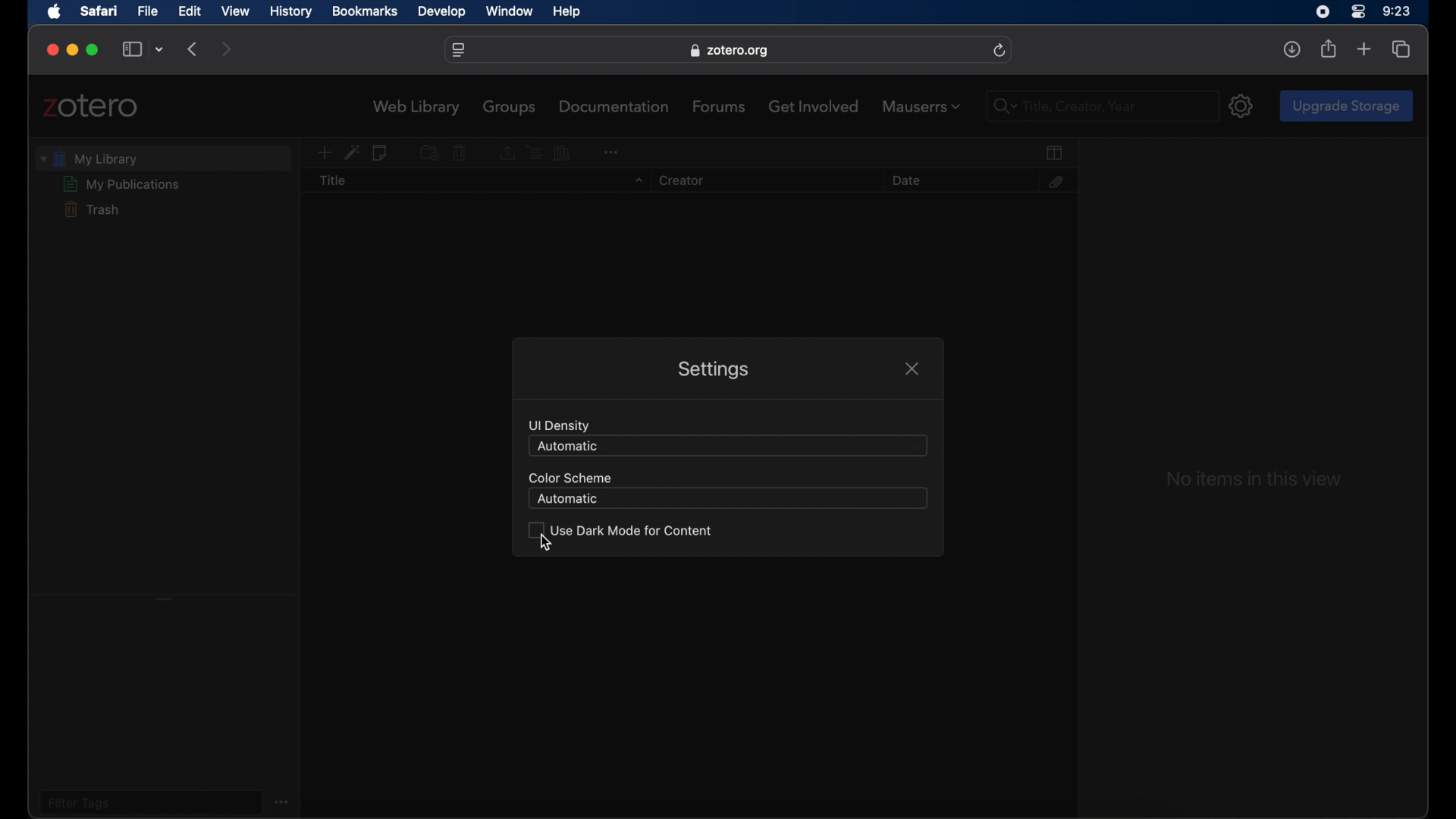 The height and width of the screenshot is (819, 1456). I want to click on my library, so click(89, 158).